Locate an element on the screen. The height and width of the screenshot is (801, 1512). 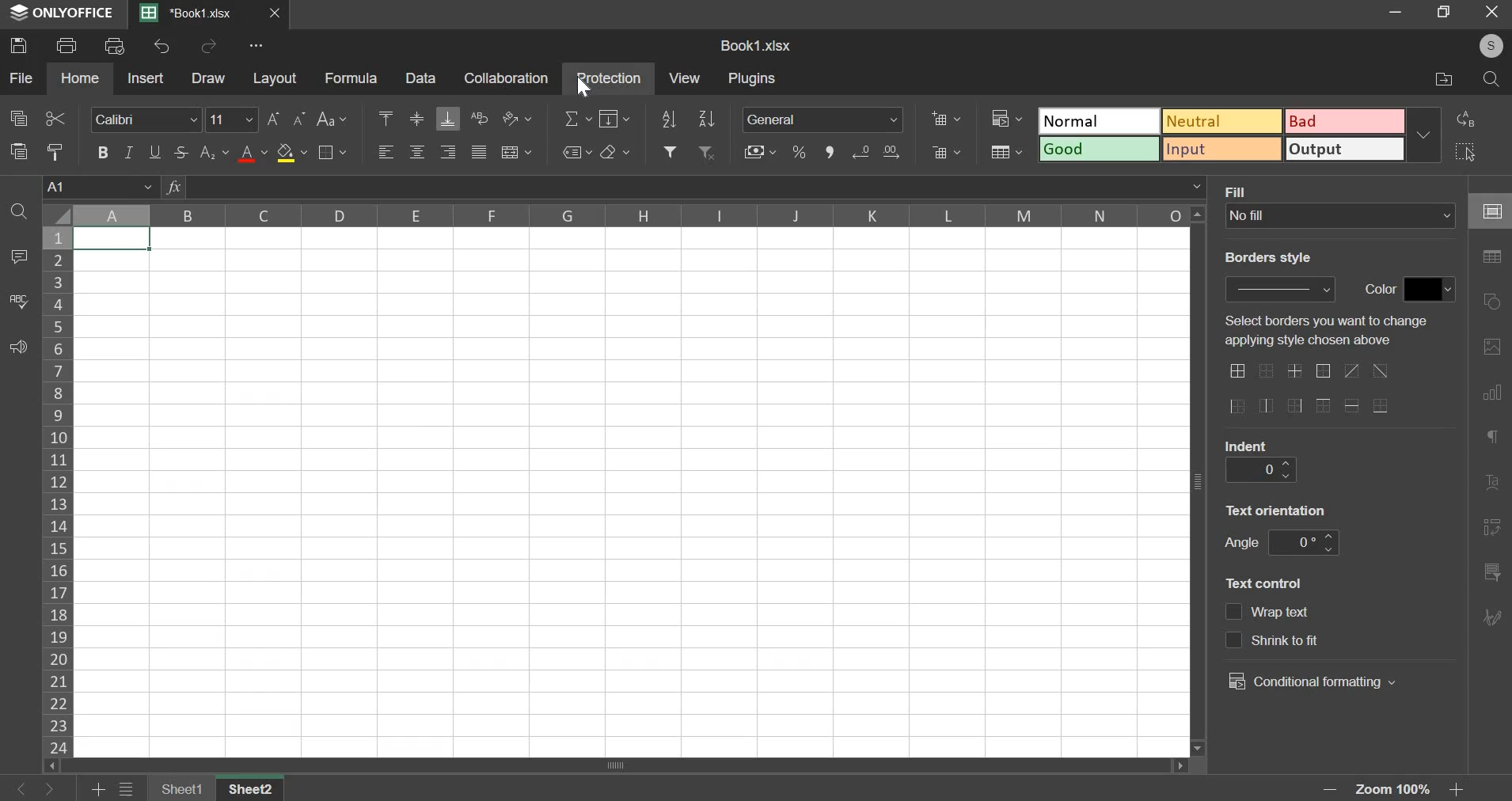
checkbox is located at coordinates (1233, 640).